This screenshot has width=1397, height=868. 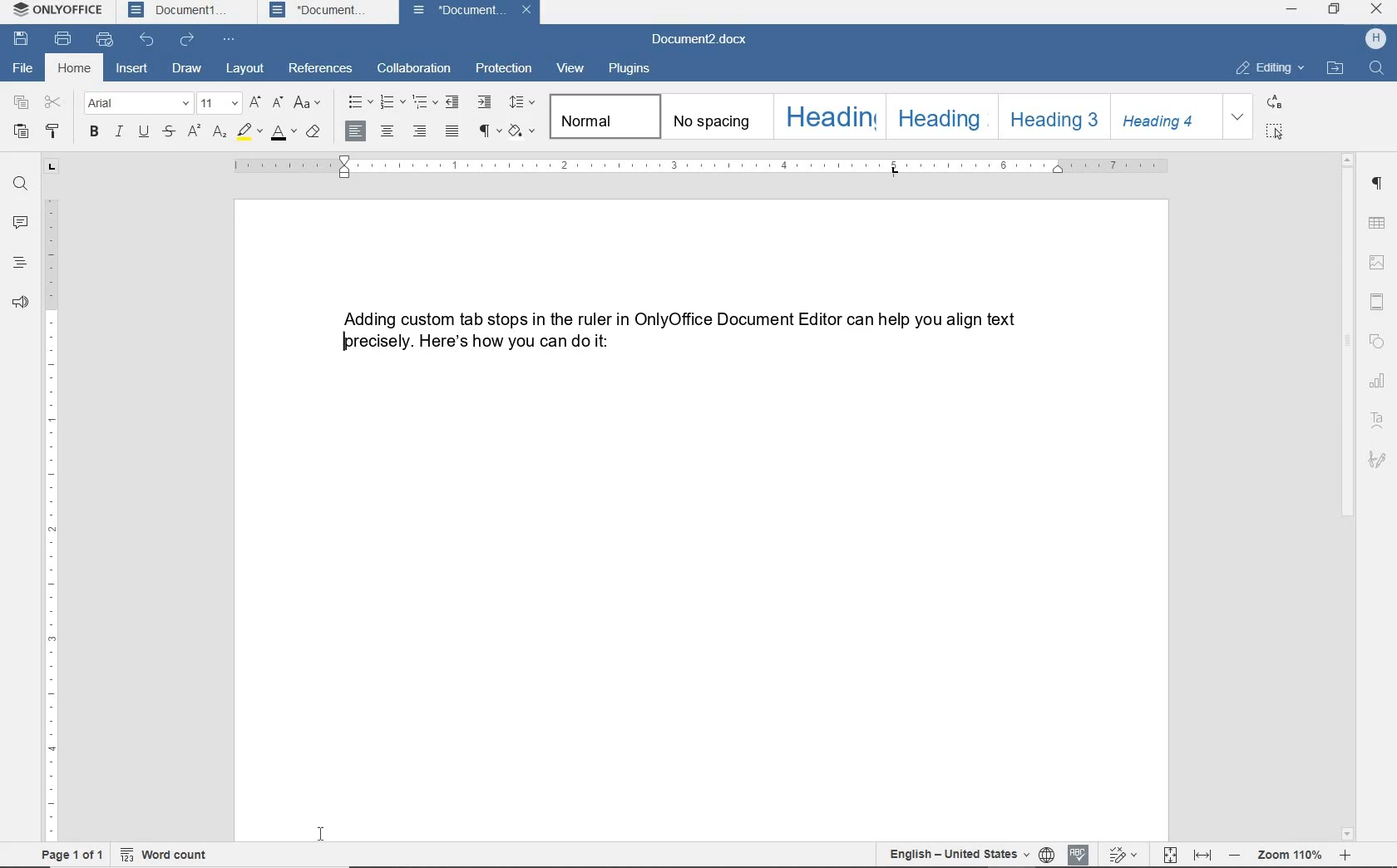 What do you see at coordinates (21, 185) in the screenshot?
I see `find` at bounding box center [21, 185].